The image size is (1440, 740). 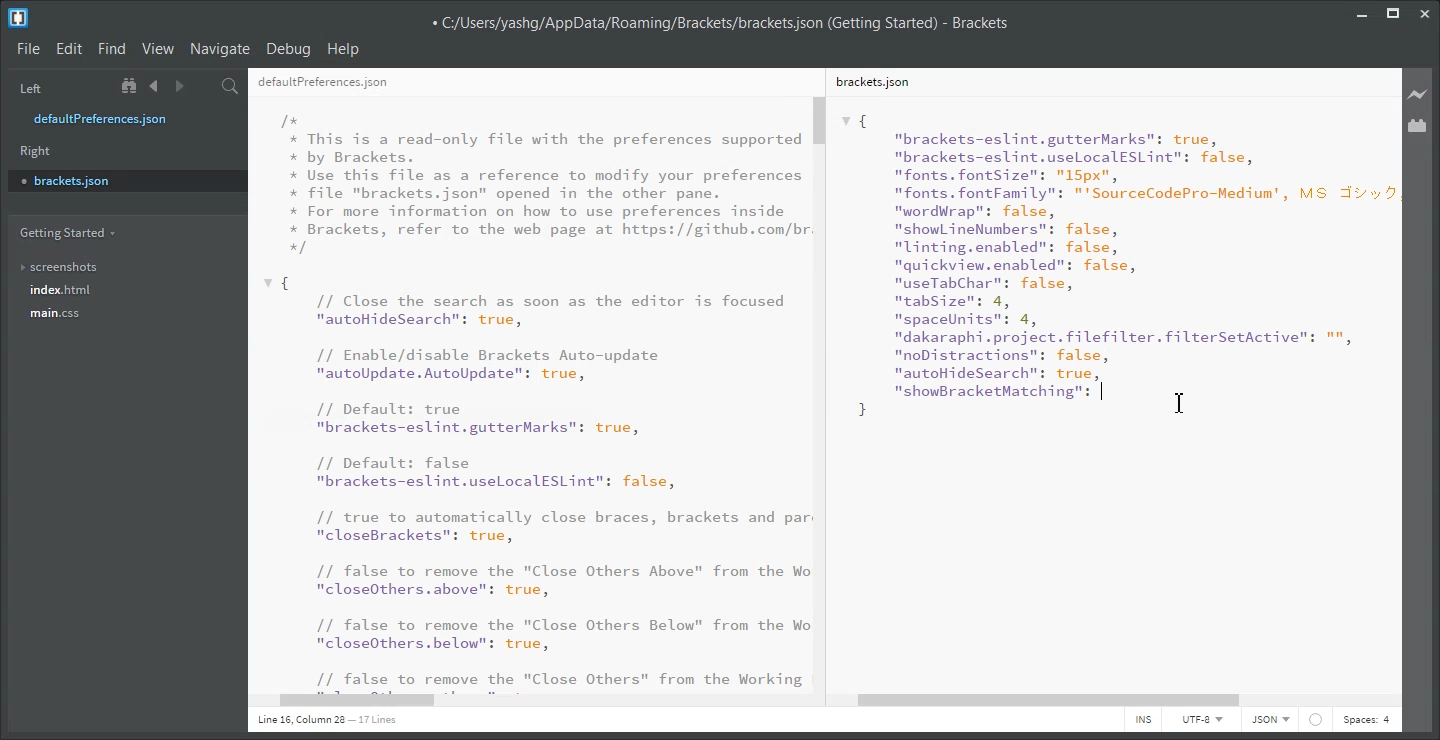 I want to click on Split the editor vertically or Horizontally, so click(x=204, y=86).